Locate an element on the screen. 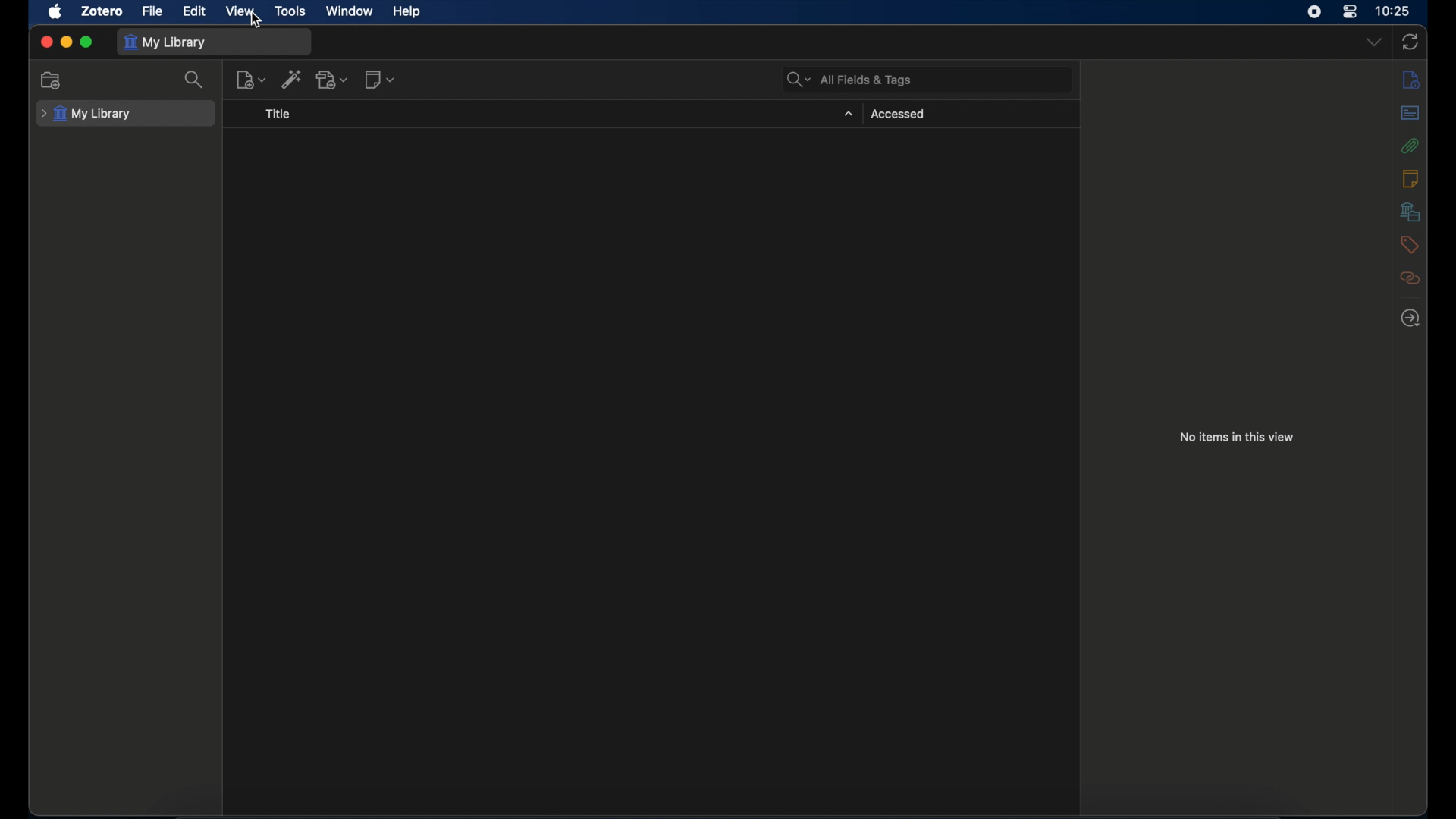 The width and height of the screenshot is (1456, 819). dropdown is located at coordinates (1373, 42).